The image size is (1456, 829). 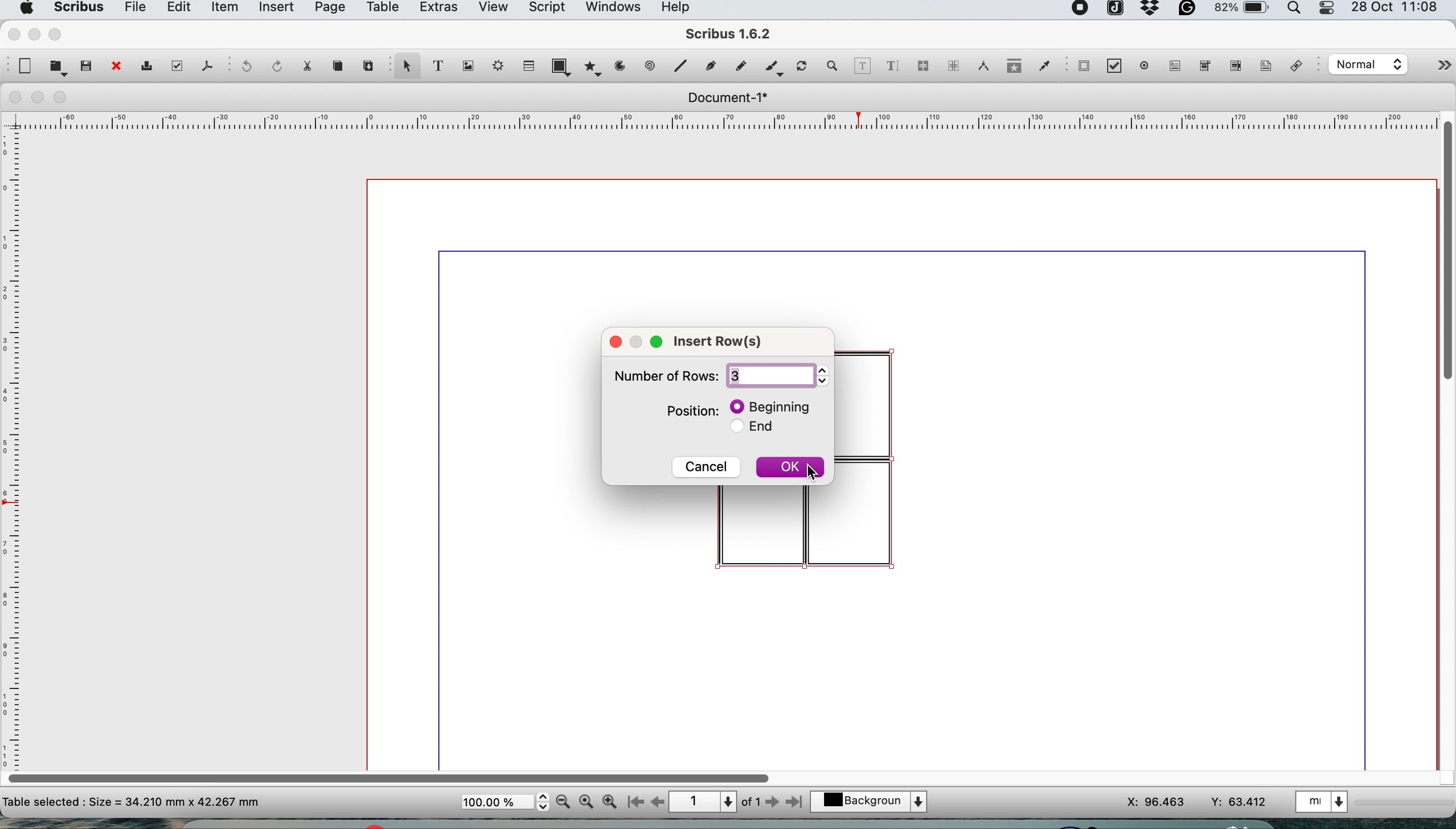 What do you see at coordinates (693, 411) in the screenshot?
I see `position` at bounding box center [693, 411].